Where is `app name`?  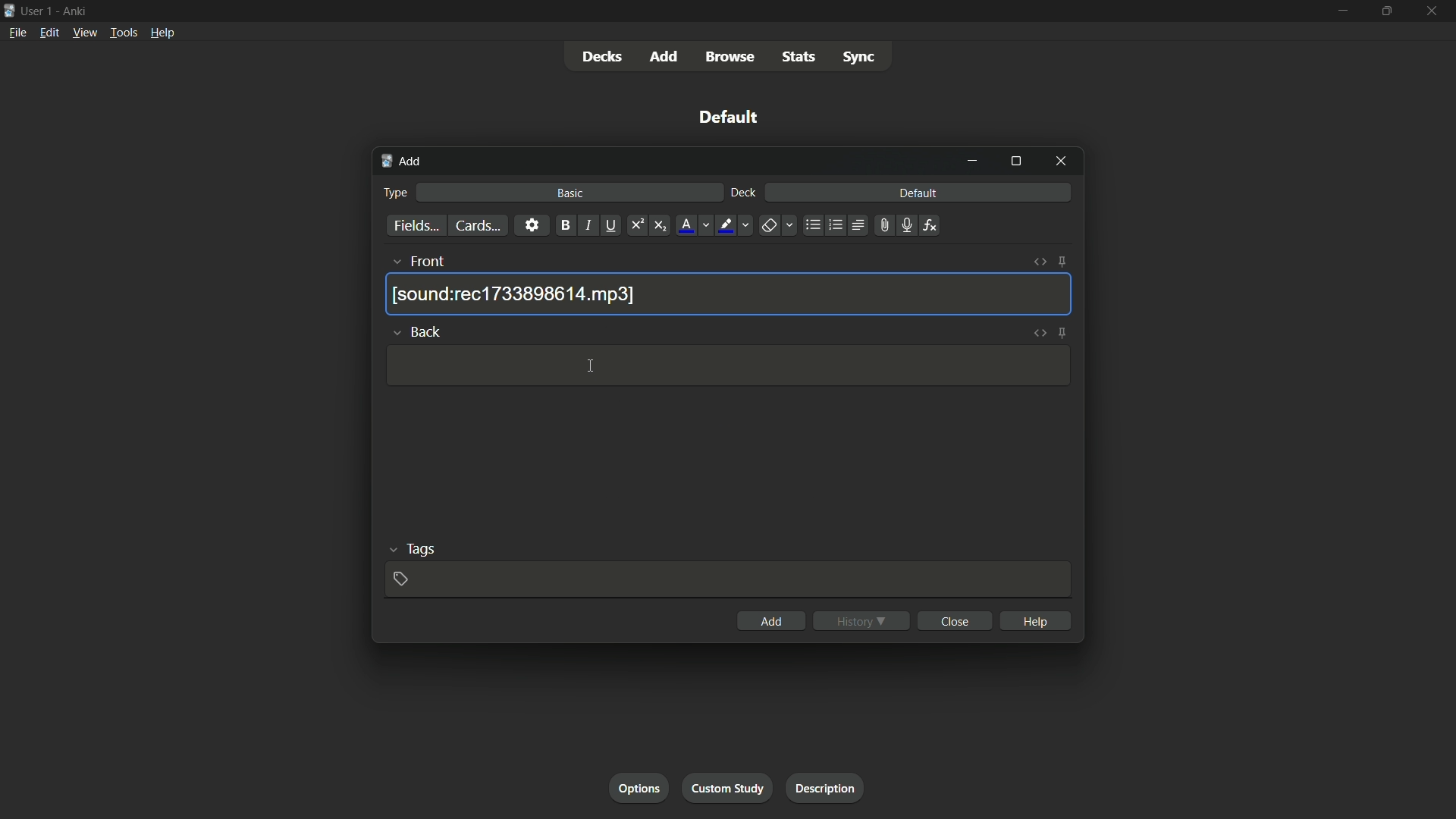
app name is located at coordinates (74, 11).